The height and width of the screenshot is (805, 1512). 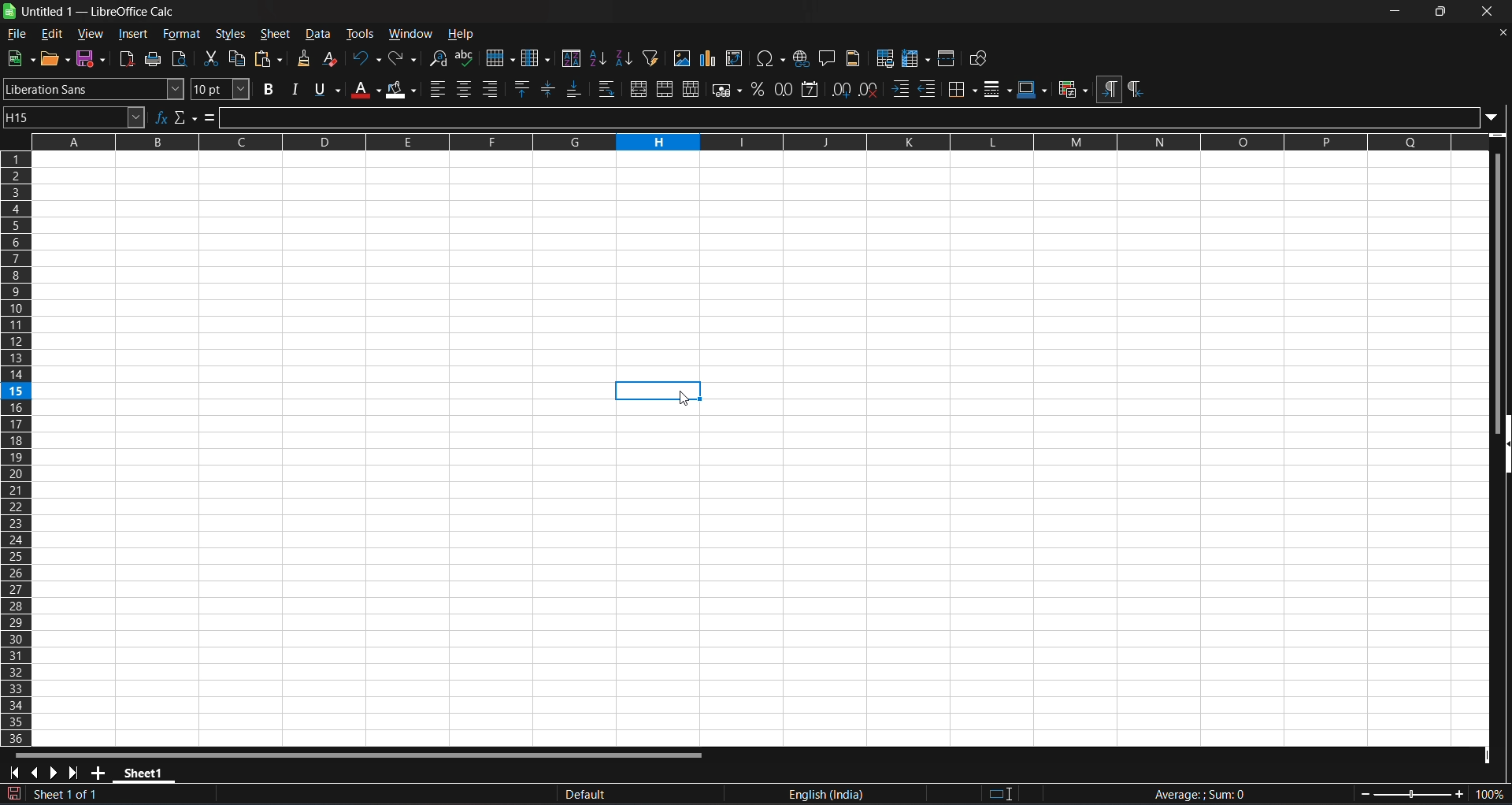 What do you see at coordinates (691, 88) in the screenshot?
I see `unmerge cells` at bounding box center [691, 88].